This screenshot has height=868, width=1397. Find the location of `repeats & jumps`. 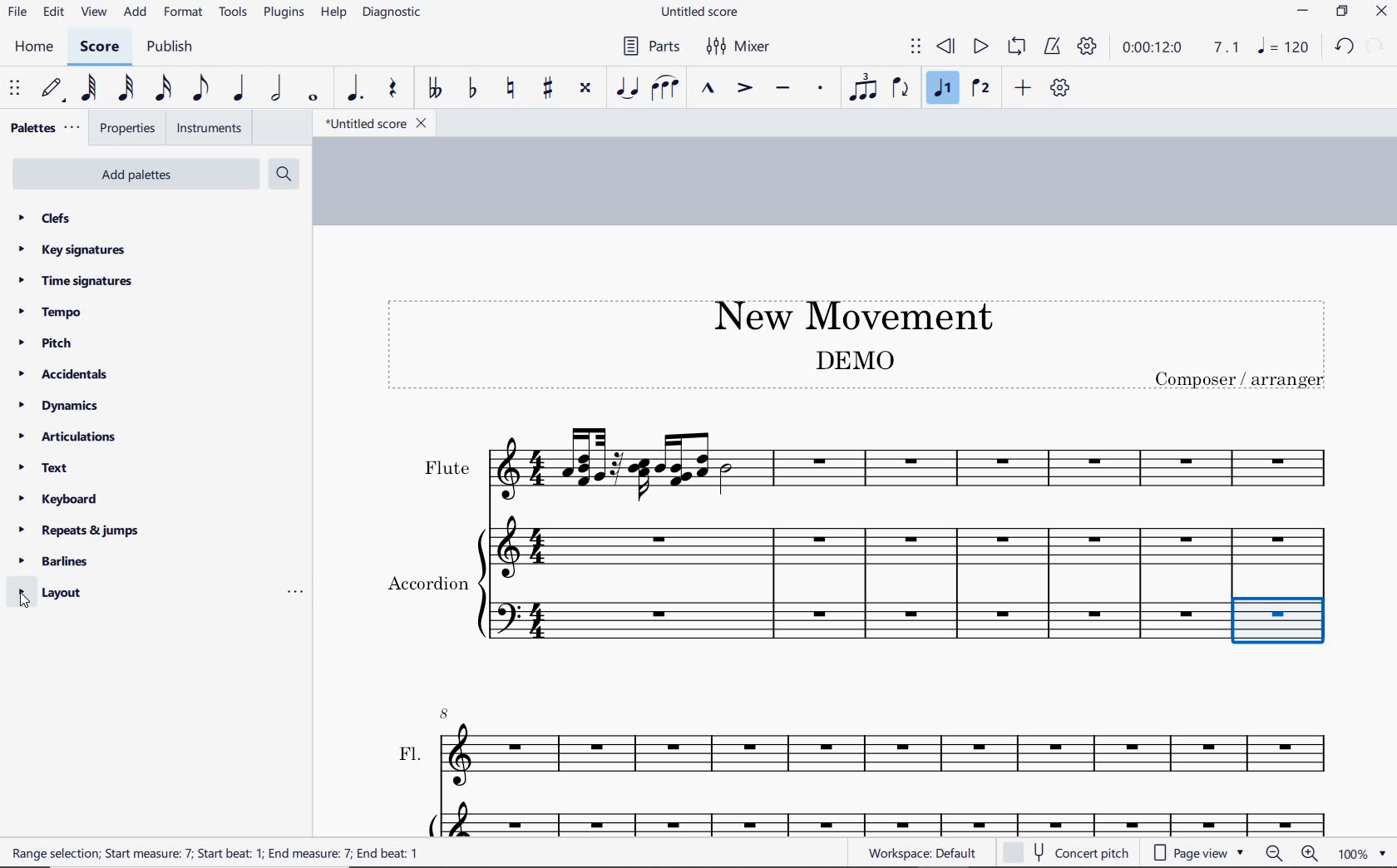

repeats & jumps is located at coordinates (79, 528).